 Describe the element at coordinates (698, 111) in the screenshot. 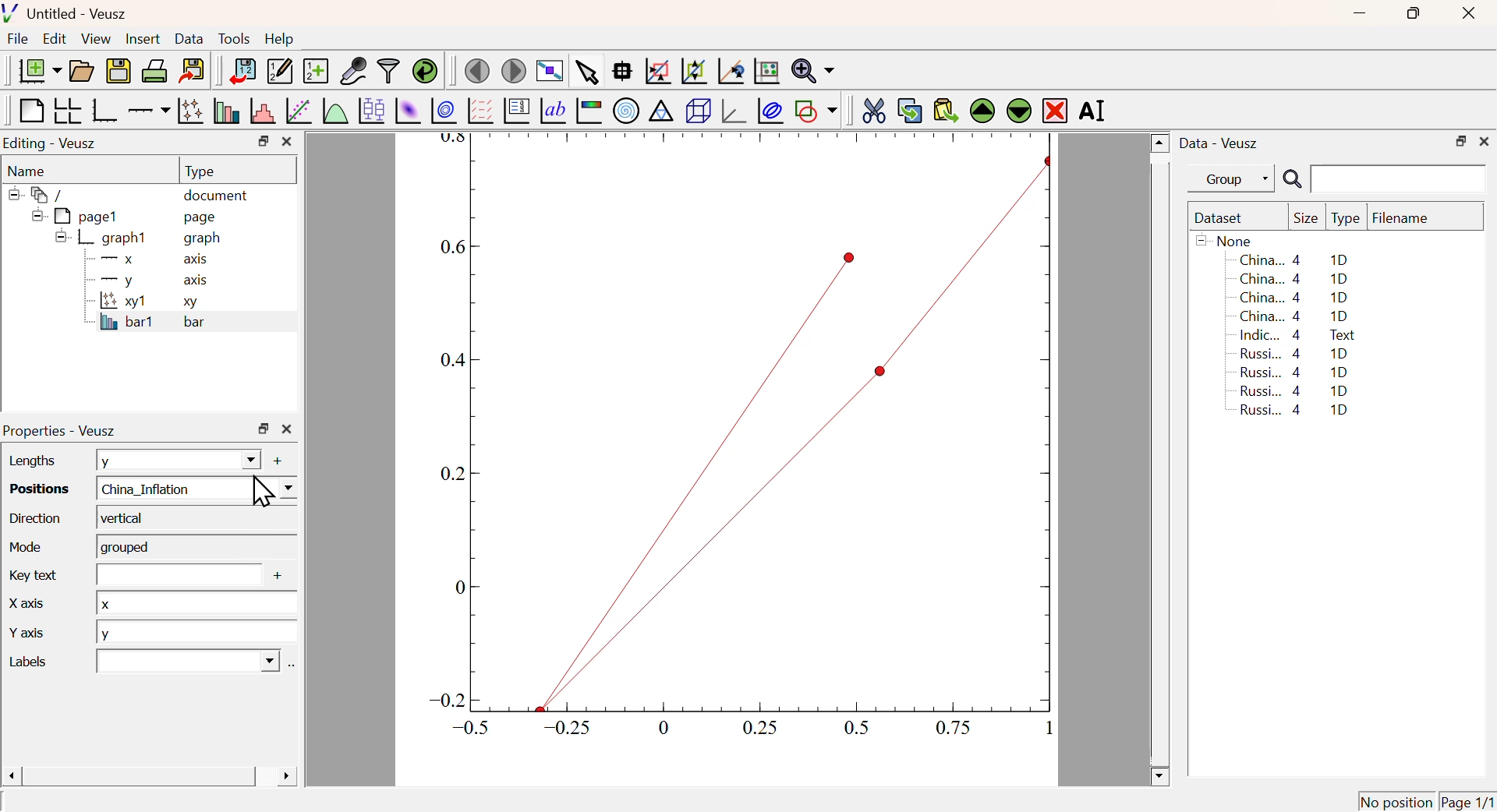

I see `3D Scene` at that location.